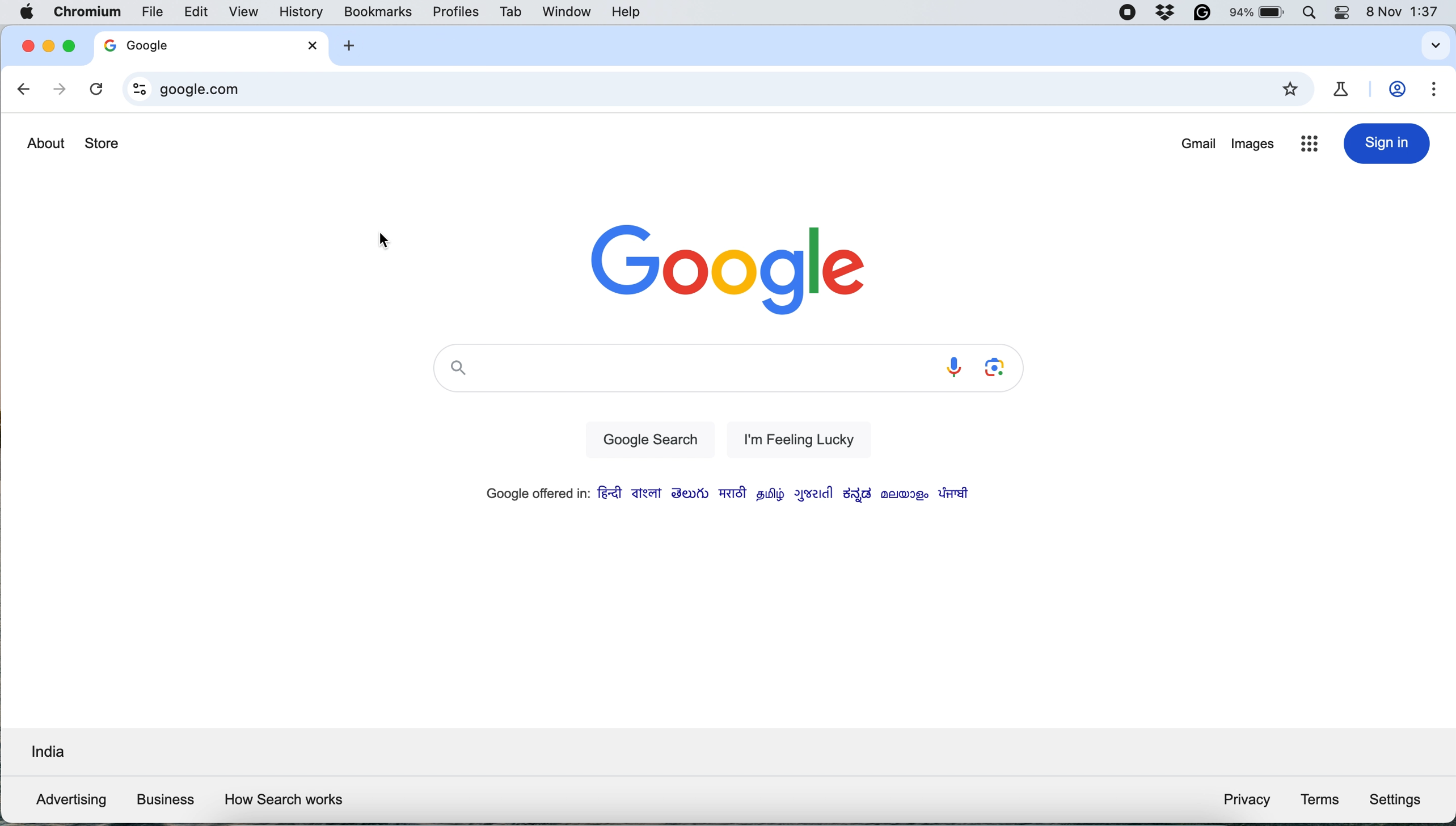 The image size is (1456, 826). I want to click on privacy, so click(1246, 802).